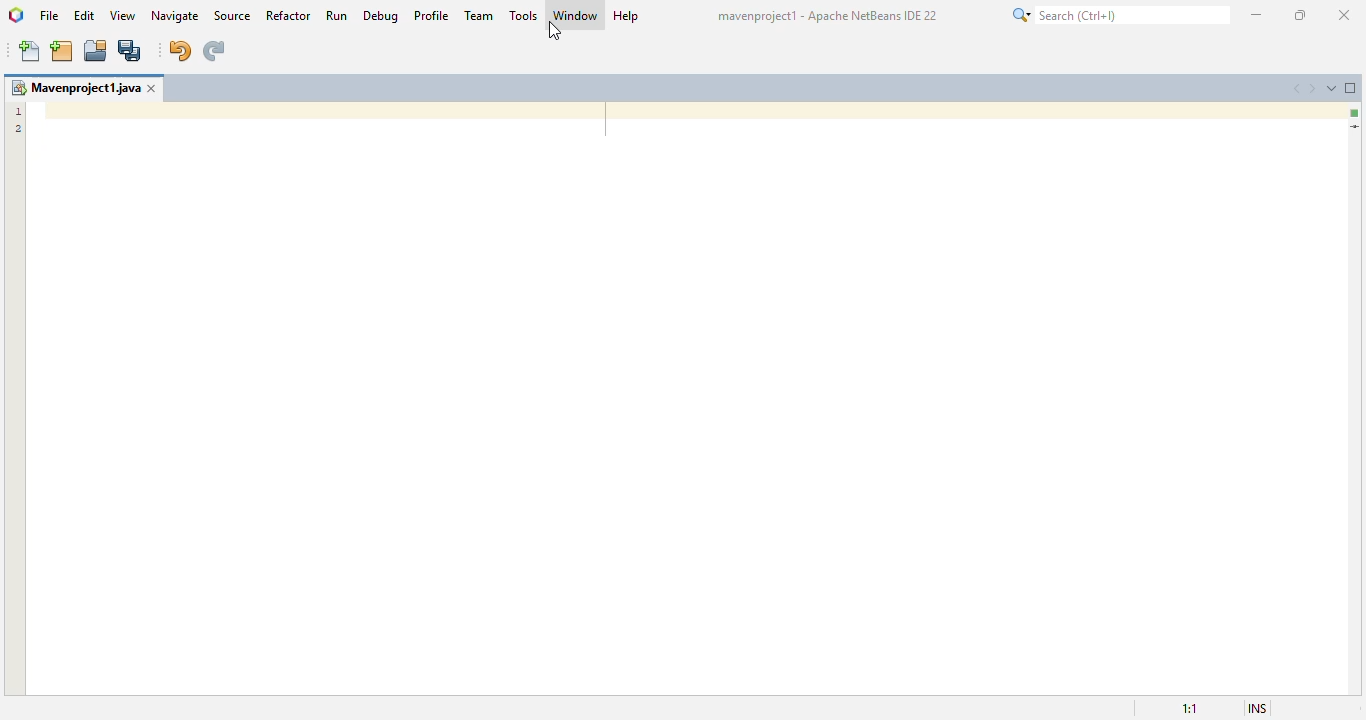 The height and width of the screenshot is (720, 1366). I want to click on undo, so click(179, 51).